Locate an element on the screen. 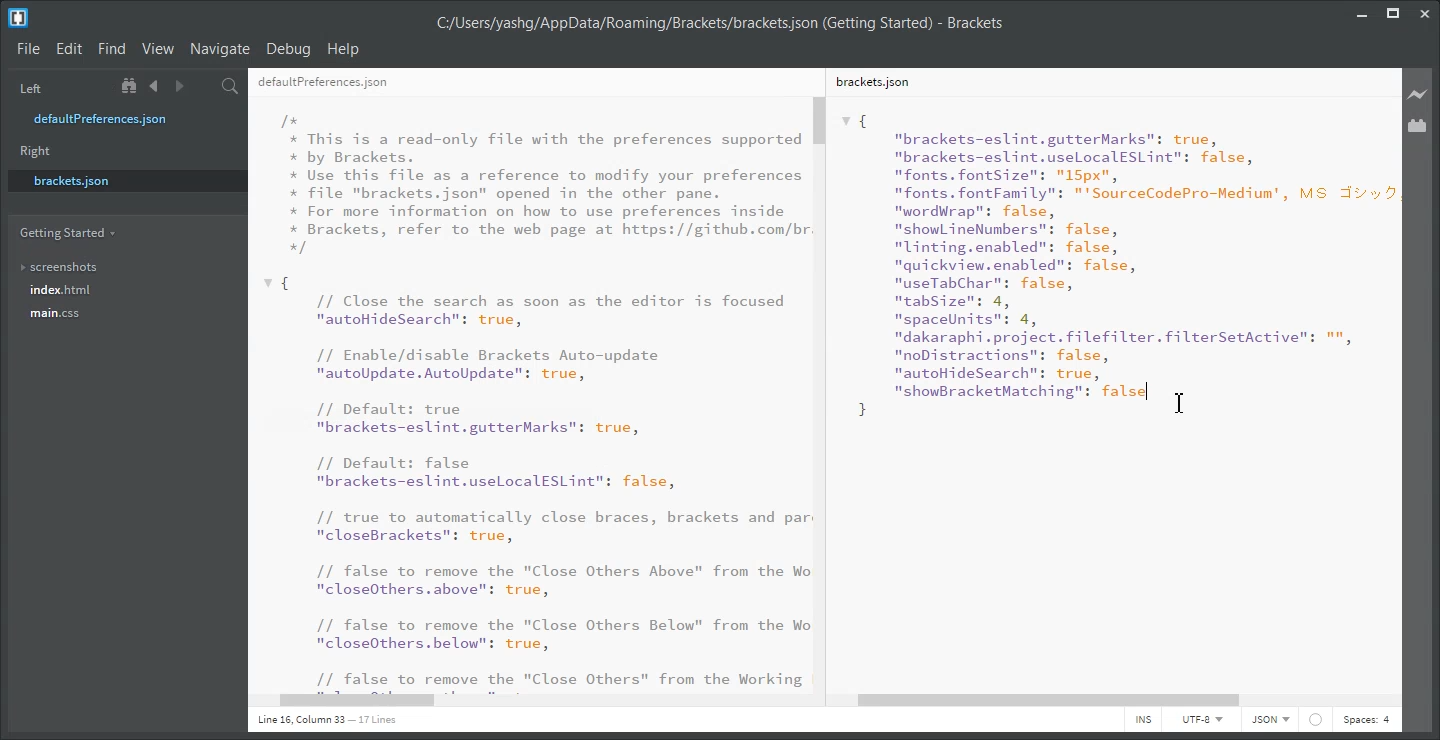  Left is located at coordinates (28, 87).